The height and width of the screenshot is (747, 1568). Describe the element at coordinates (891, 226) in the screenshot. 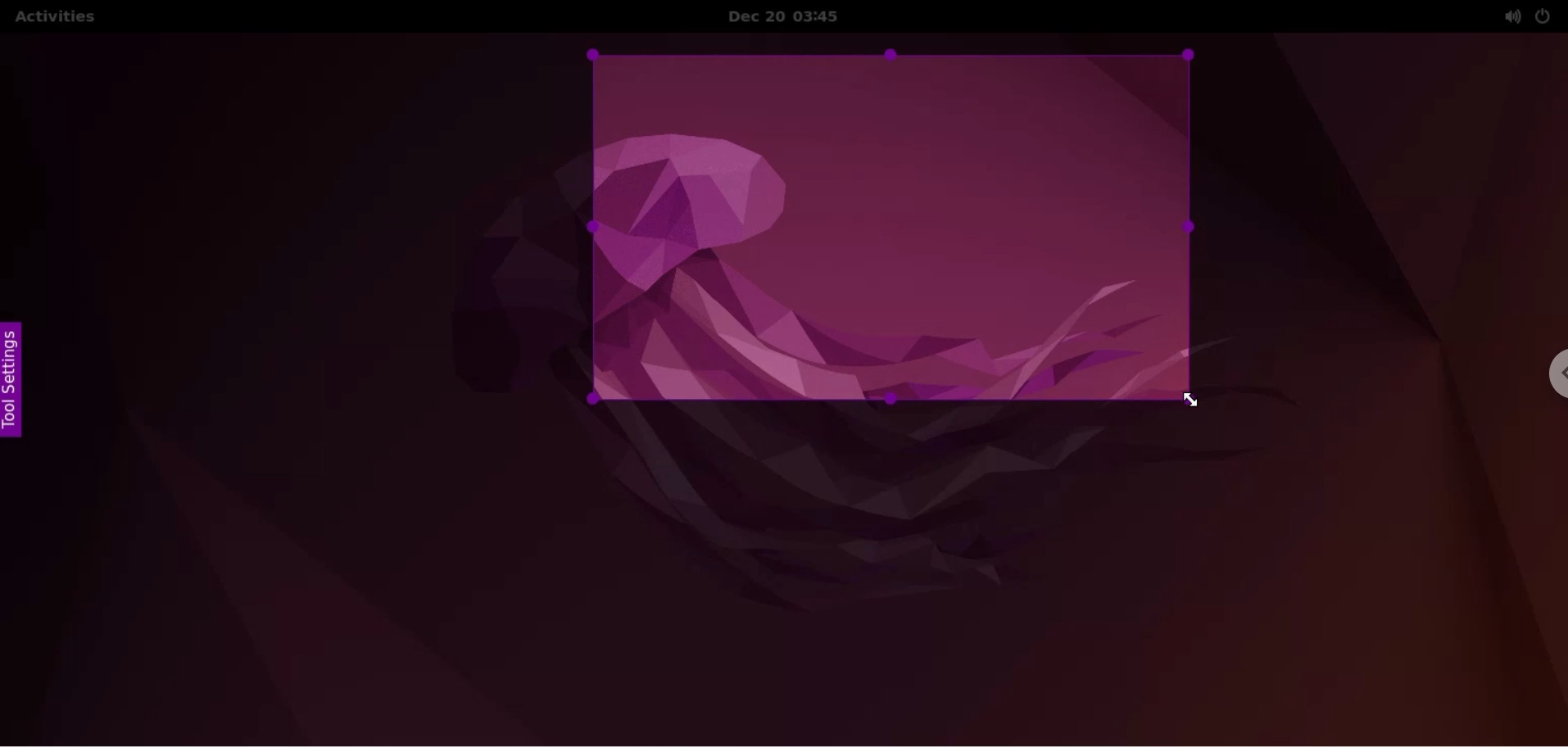

I see `selected capture area` at that location.